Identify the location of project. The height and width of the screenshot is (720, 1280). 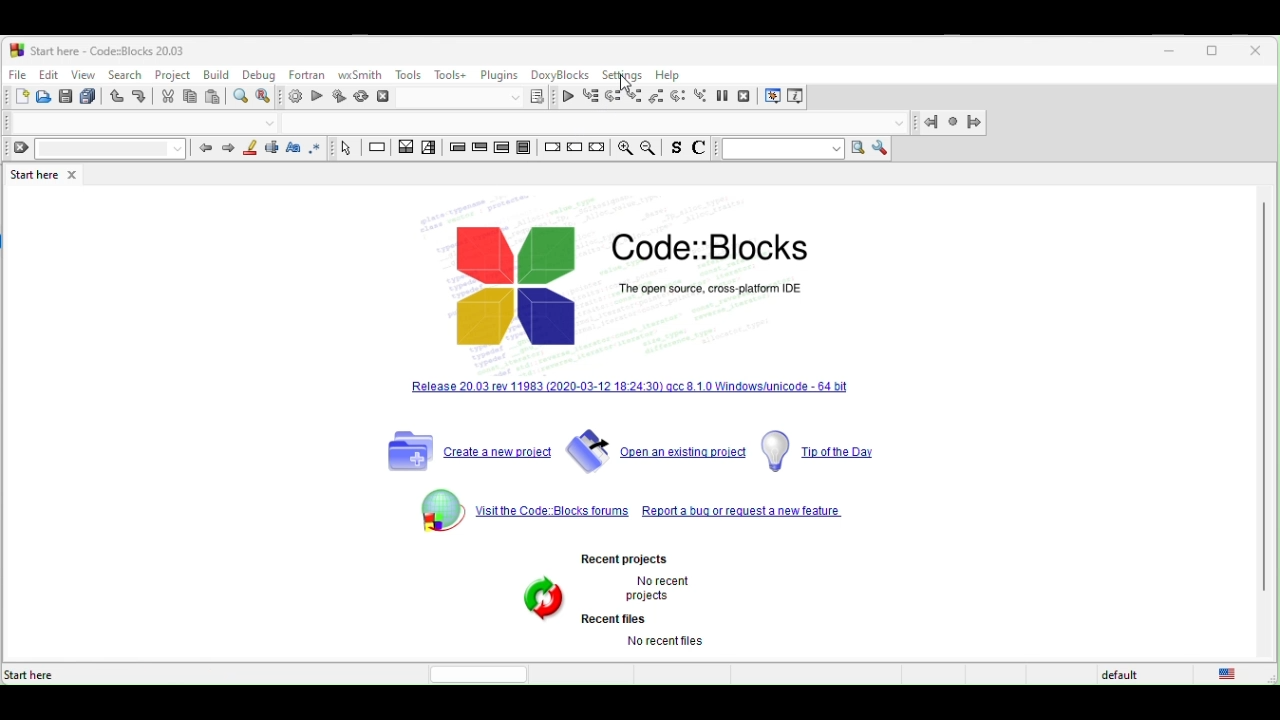
(173, 73).